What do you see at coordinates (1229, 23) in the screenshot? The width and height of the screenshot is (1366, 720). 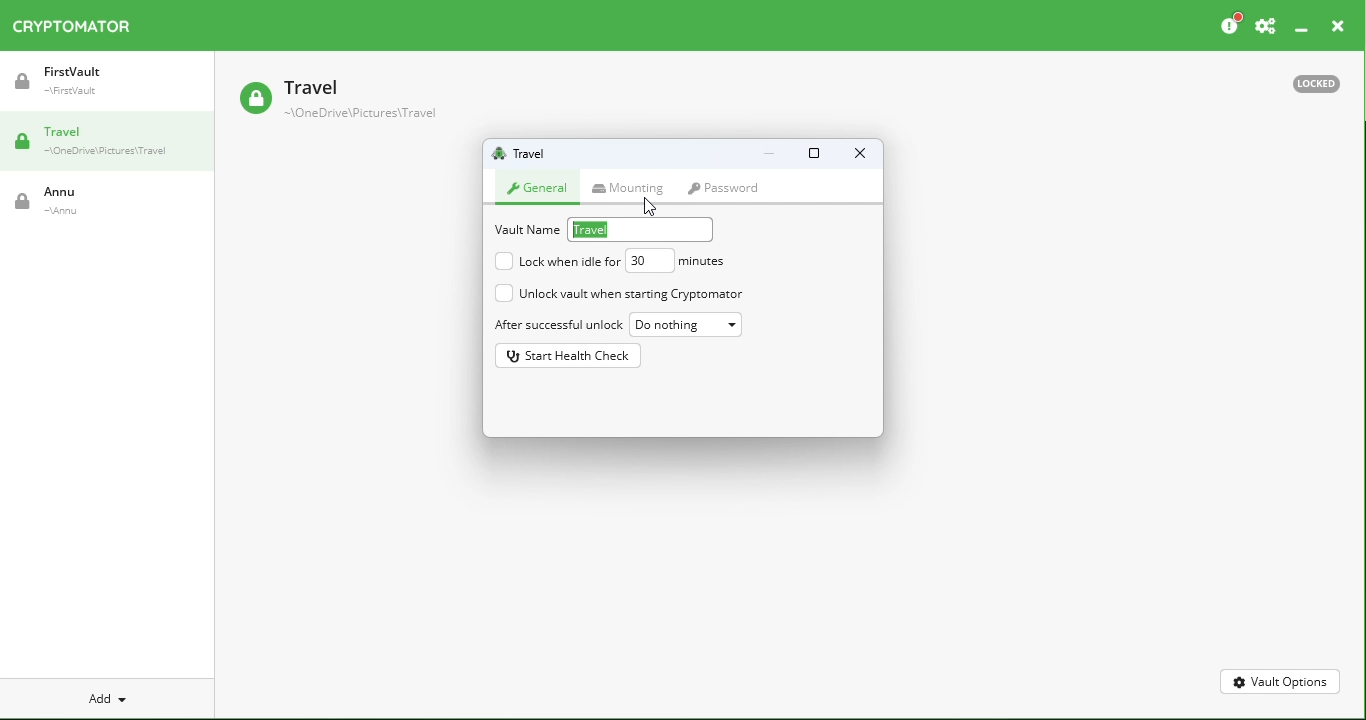 I see `Please consider donating` at bounding box center [1229, 23].